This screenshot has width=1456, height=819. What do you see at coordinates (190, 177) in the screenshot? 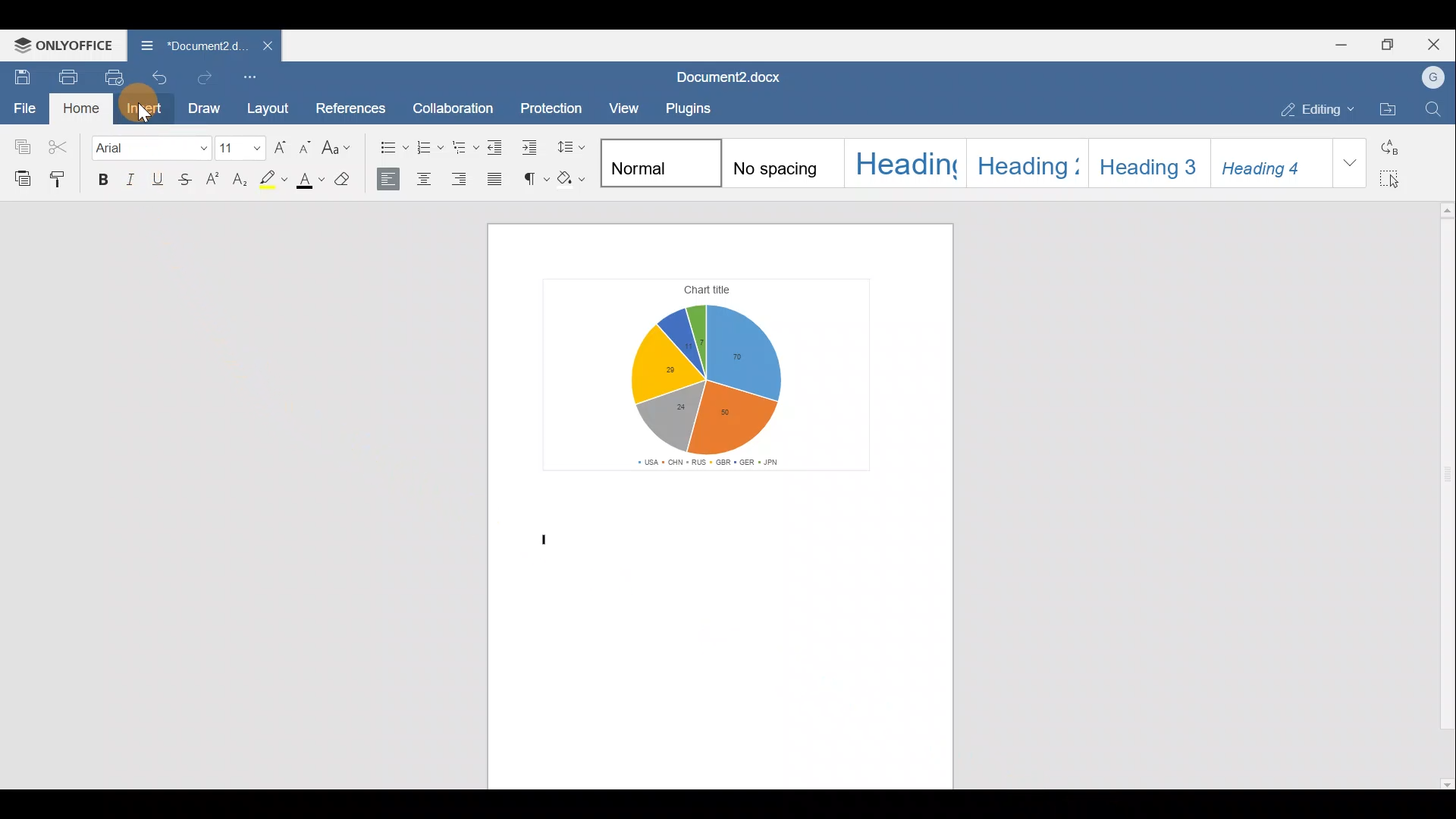
I see `Strikethrough` at bounding box center [190, 177].